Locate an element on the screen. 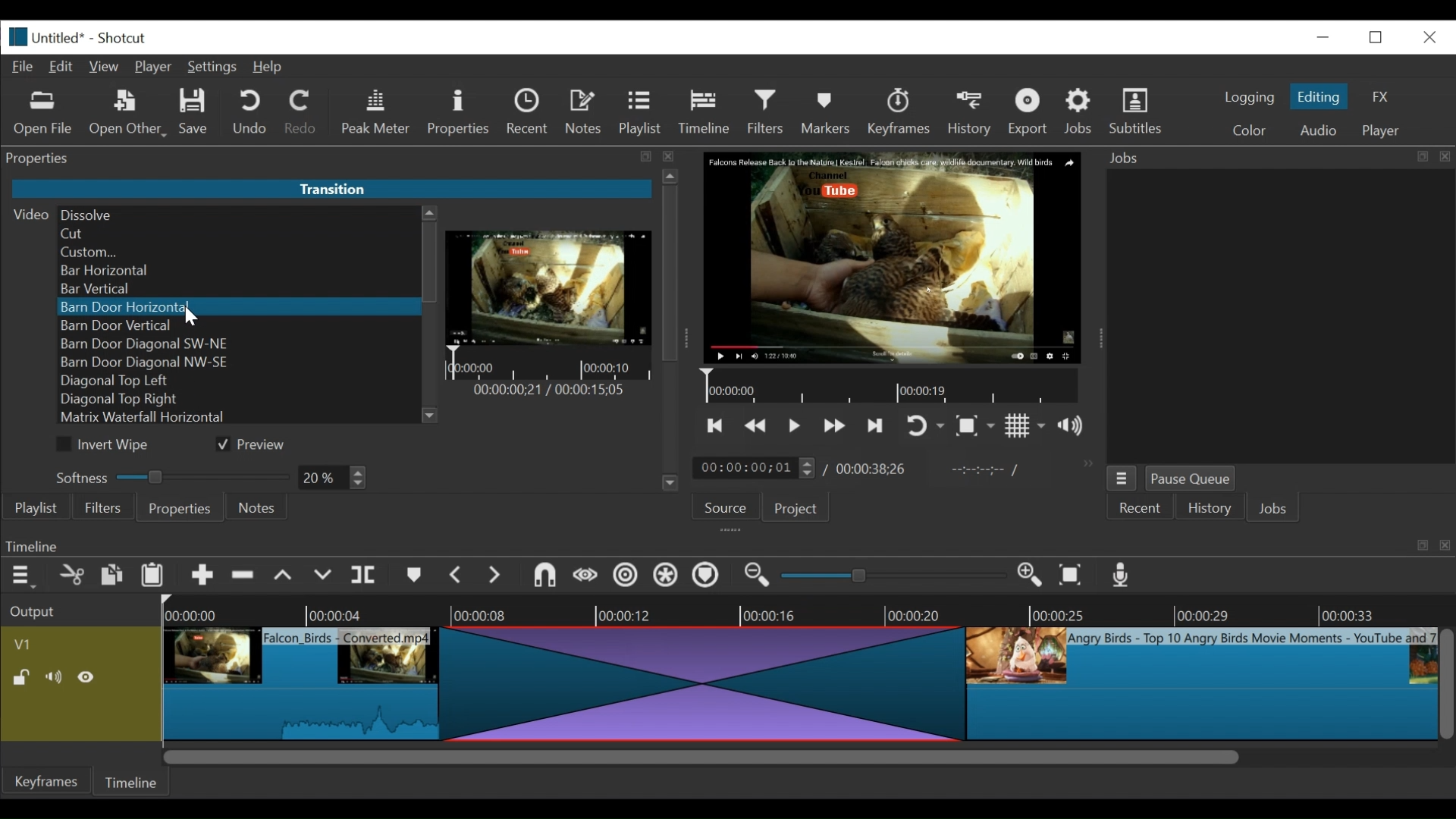  Scroll up is located at coordinates (672, 176).